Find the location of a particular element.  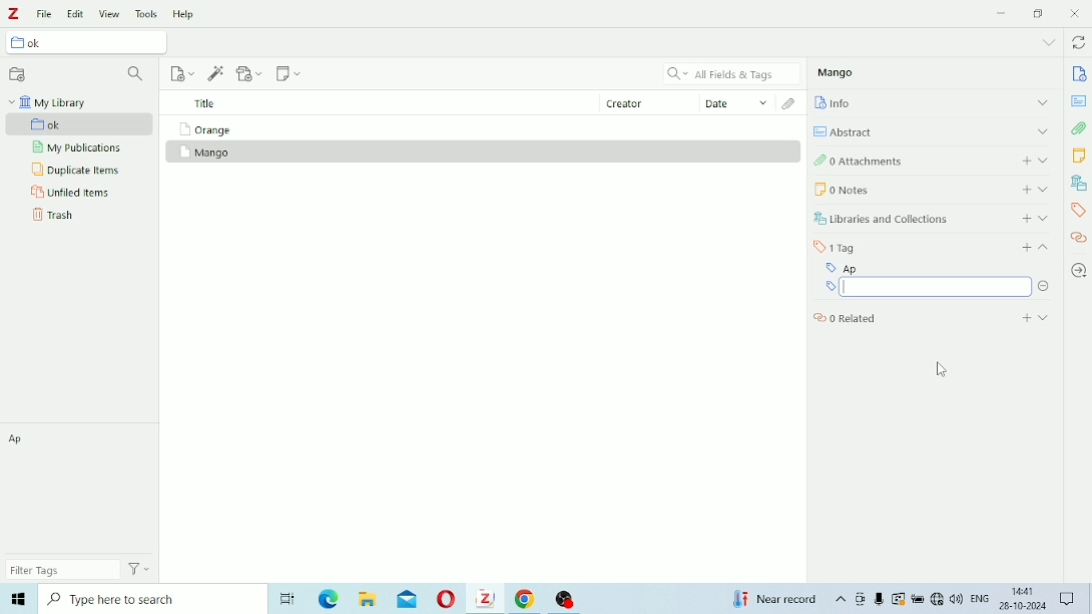

Zotero is located at coordinates (487, 599).